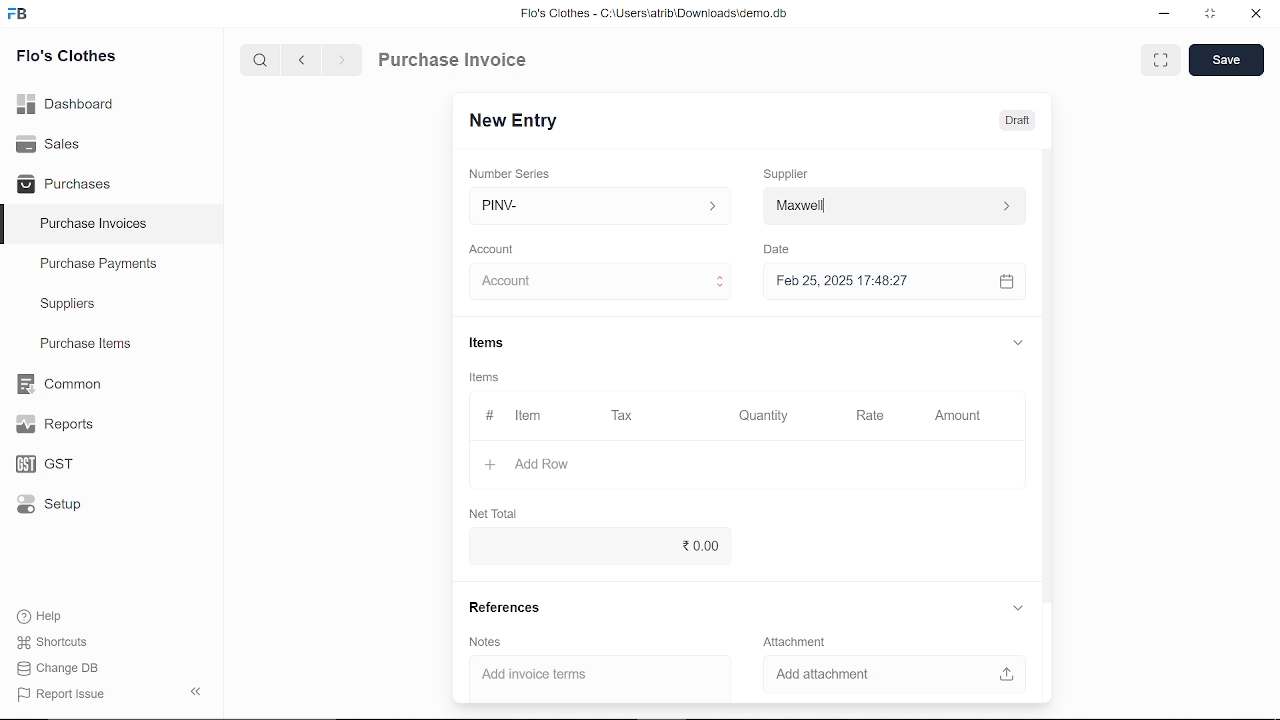  Describe the element at coordinates (48, 142) in the screenshot. I see `Sales` at that location.